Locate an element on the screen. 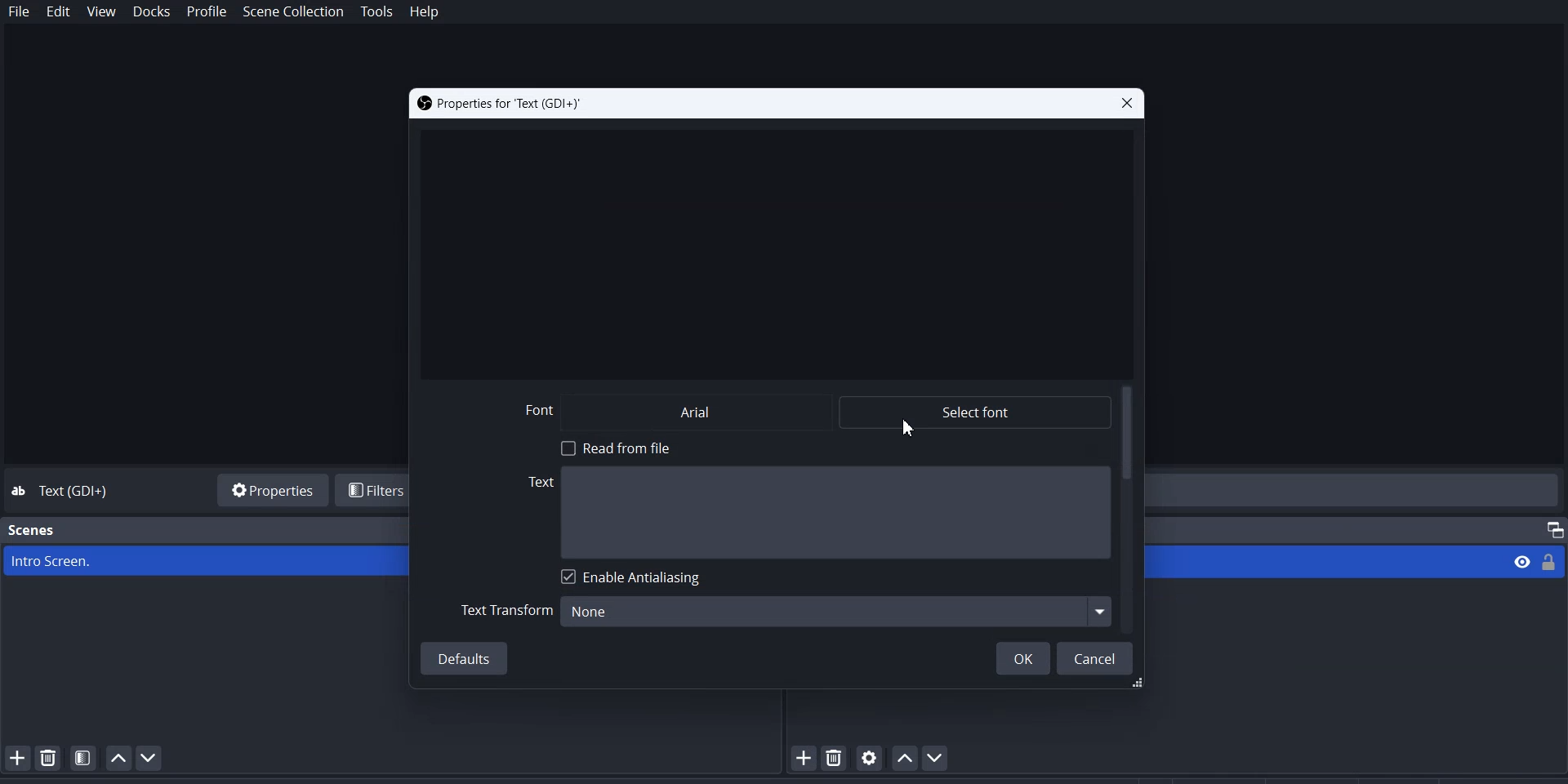  Select font is located at coordinates (977, 411).